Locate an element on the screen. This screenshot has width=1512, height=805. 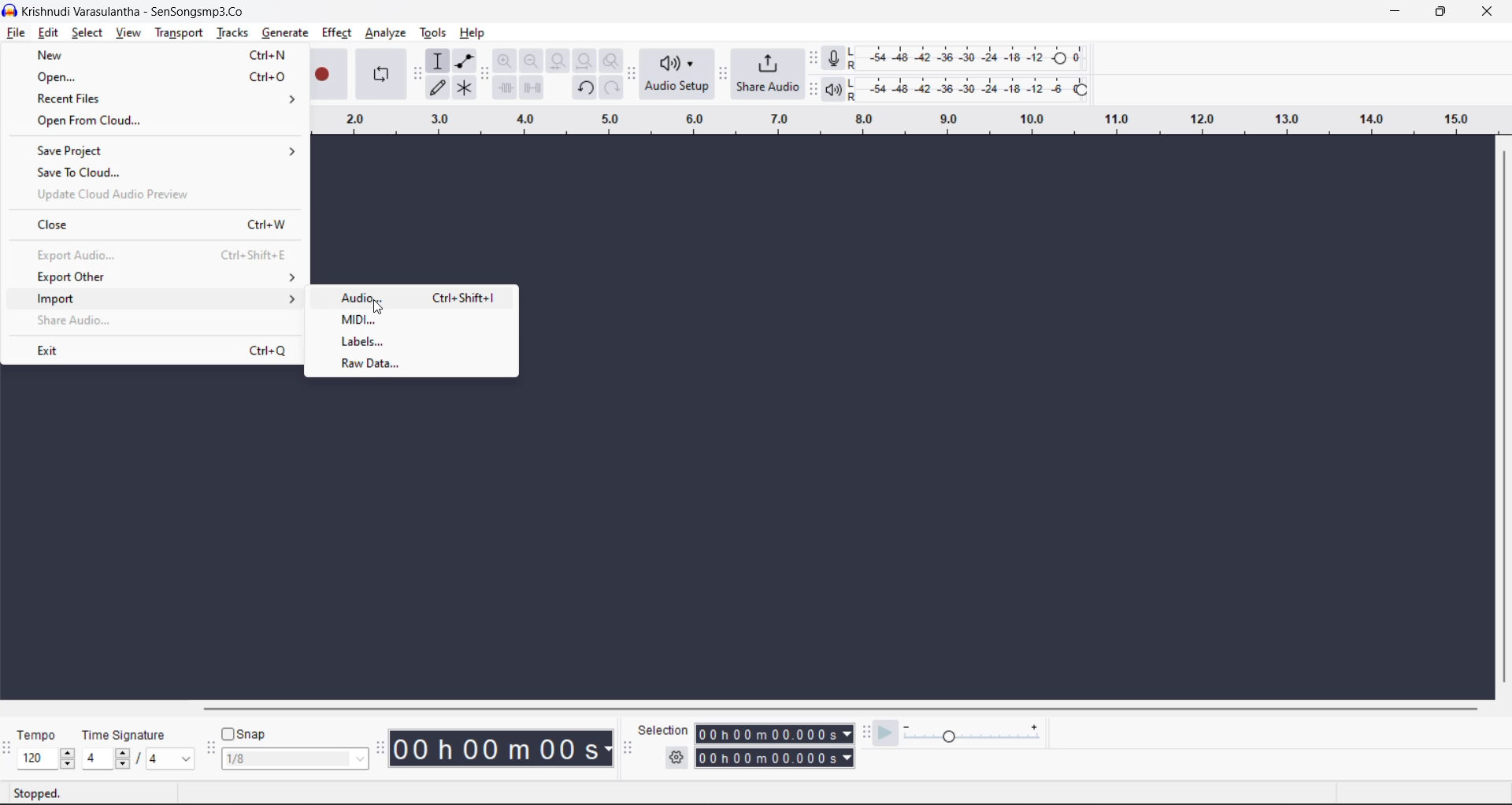
open from cloud is located at coordinates (165, 122).